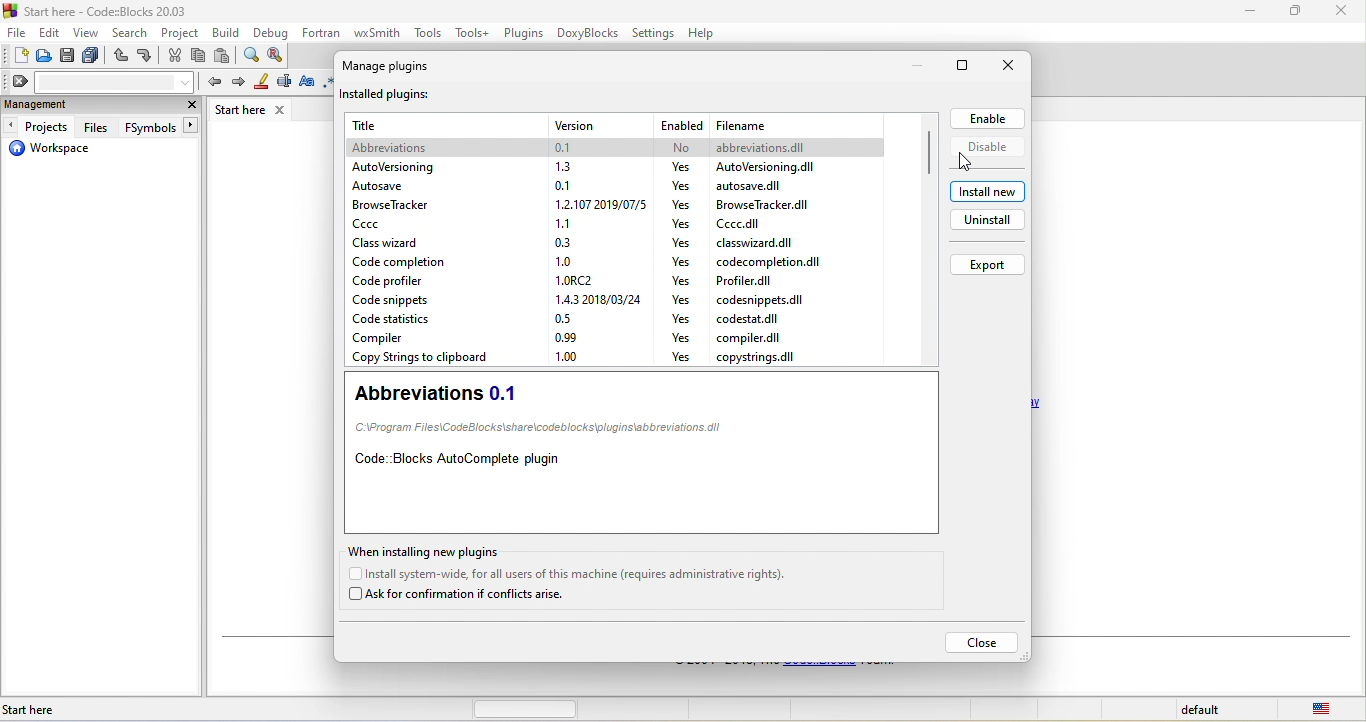 This screenshot has height=722, width=1366. What do you see at coordinates (680, 356) in the screenshot?
I see `yes` at bounding box center [680, 356].